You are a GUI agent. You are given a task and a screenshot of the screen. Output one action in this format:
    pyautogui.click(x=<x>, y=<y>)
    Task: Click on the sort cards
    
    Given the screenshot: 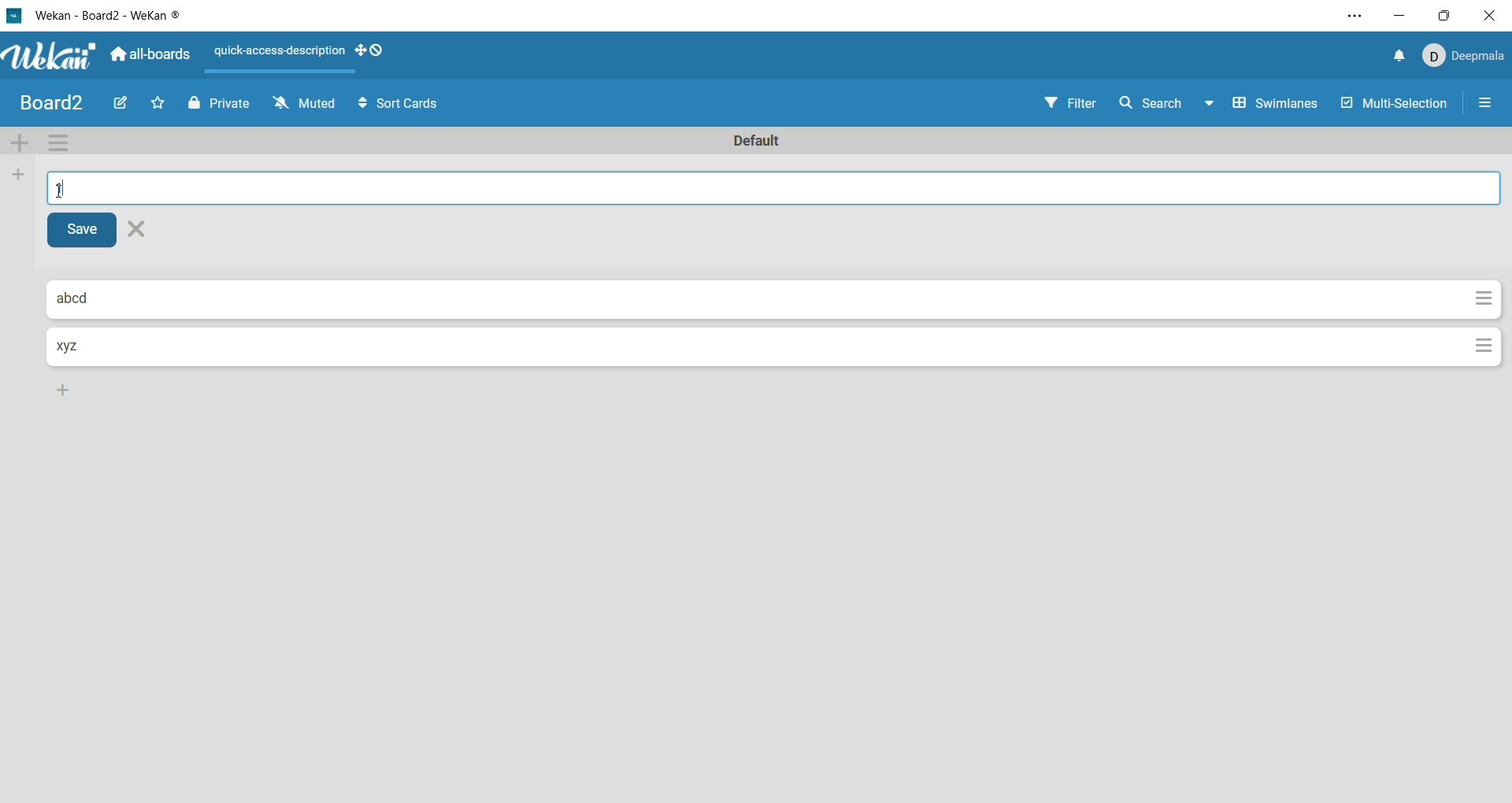 What is the action you would take?
    pyautogui.click(x=395, y=104)
    